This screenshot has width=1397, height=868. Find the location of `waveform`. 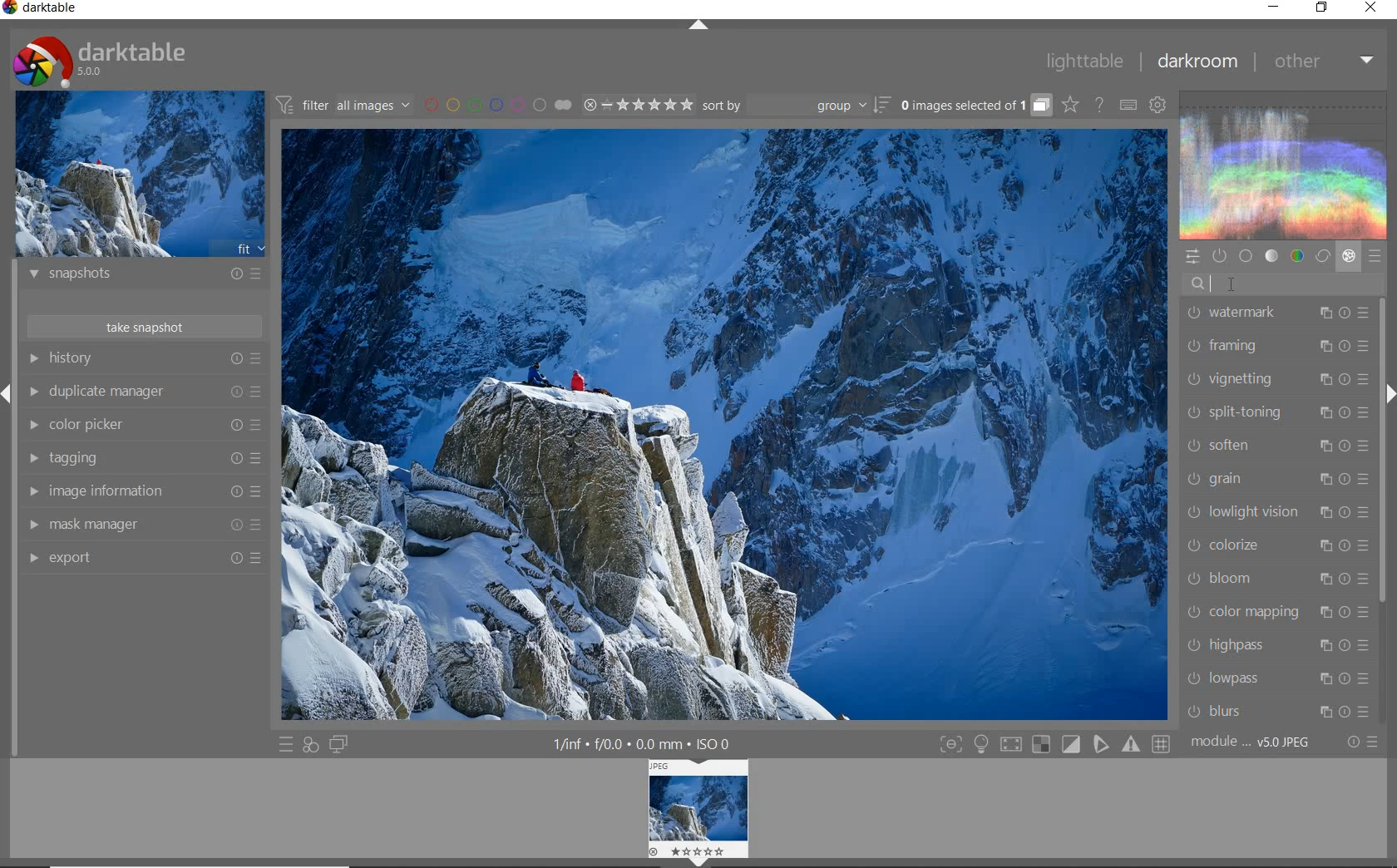

waveform is located at coordinates (1285, 164).